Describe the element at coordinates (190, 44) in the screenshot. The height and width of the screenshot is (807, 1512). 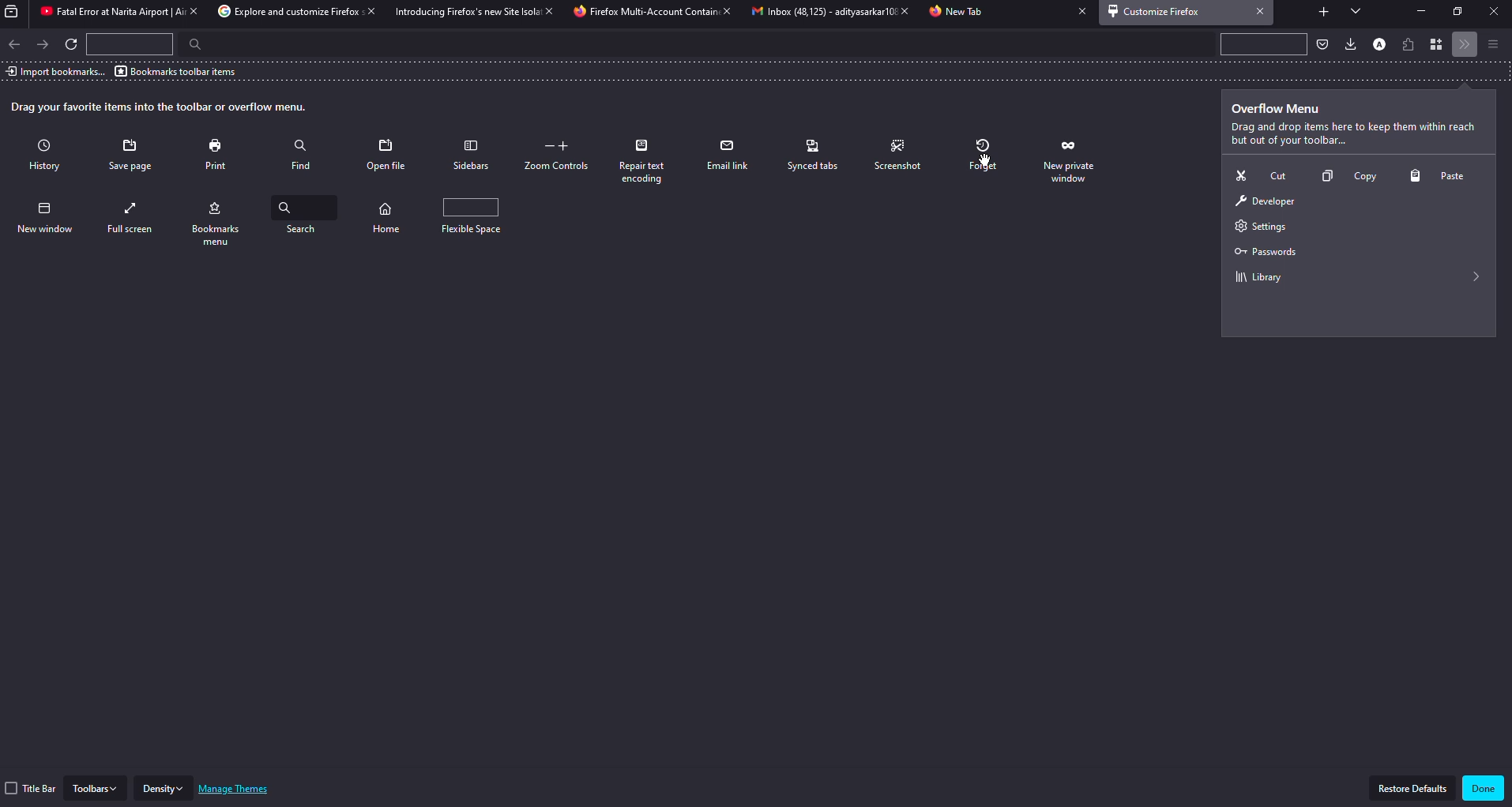
I see `search` at that location.